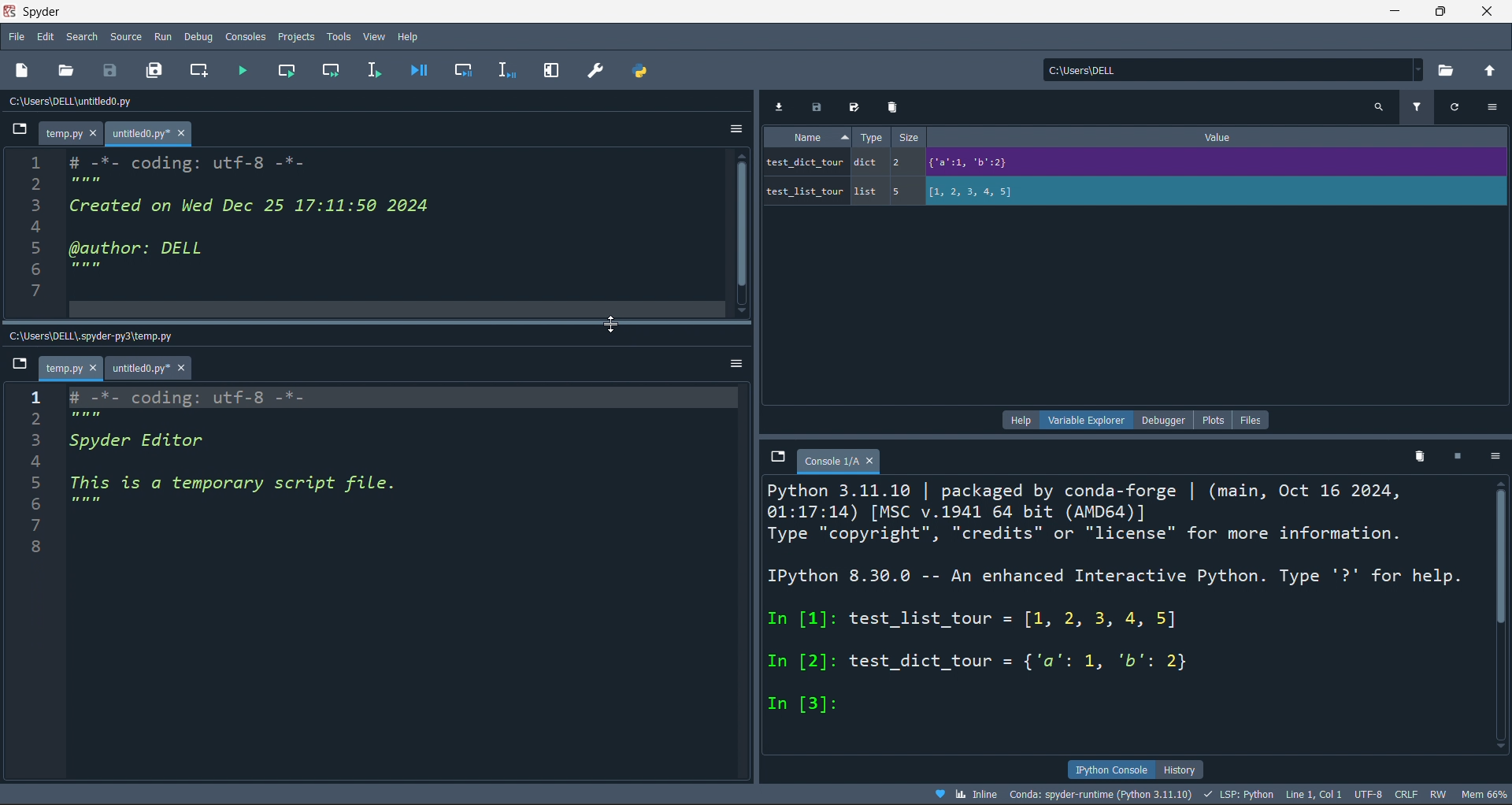 The image size is (1512, 805). Describe the element at coordinates (1108, 138) in the screenshot. I see `a | Name a Type Size Value` at that location.